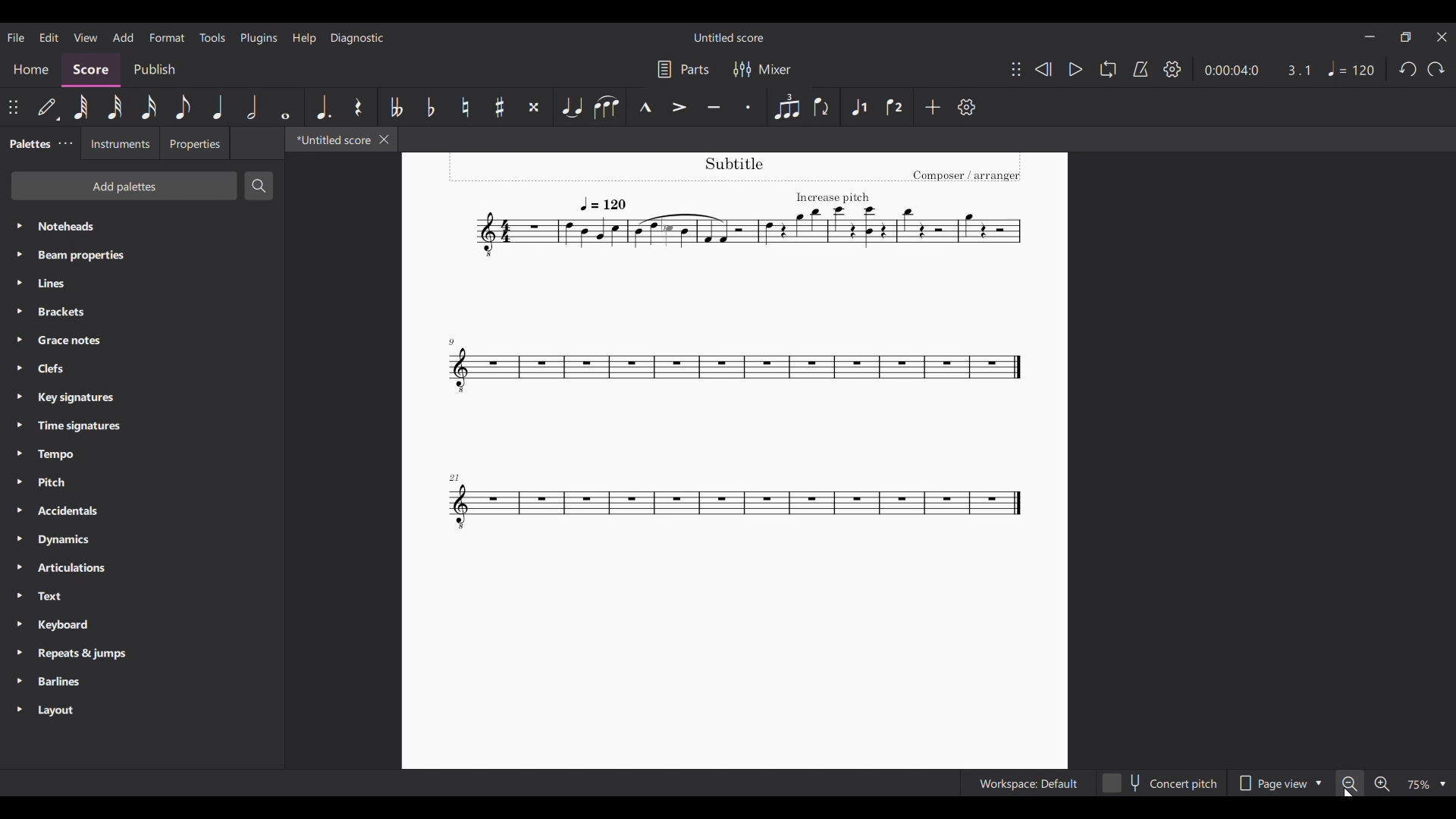 The image size is (1456, 819). What do you see at coordinates (645, 107) in the screenshot?
I see `Marcato` at bounding box center [645, 107].